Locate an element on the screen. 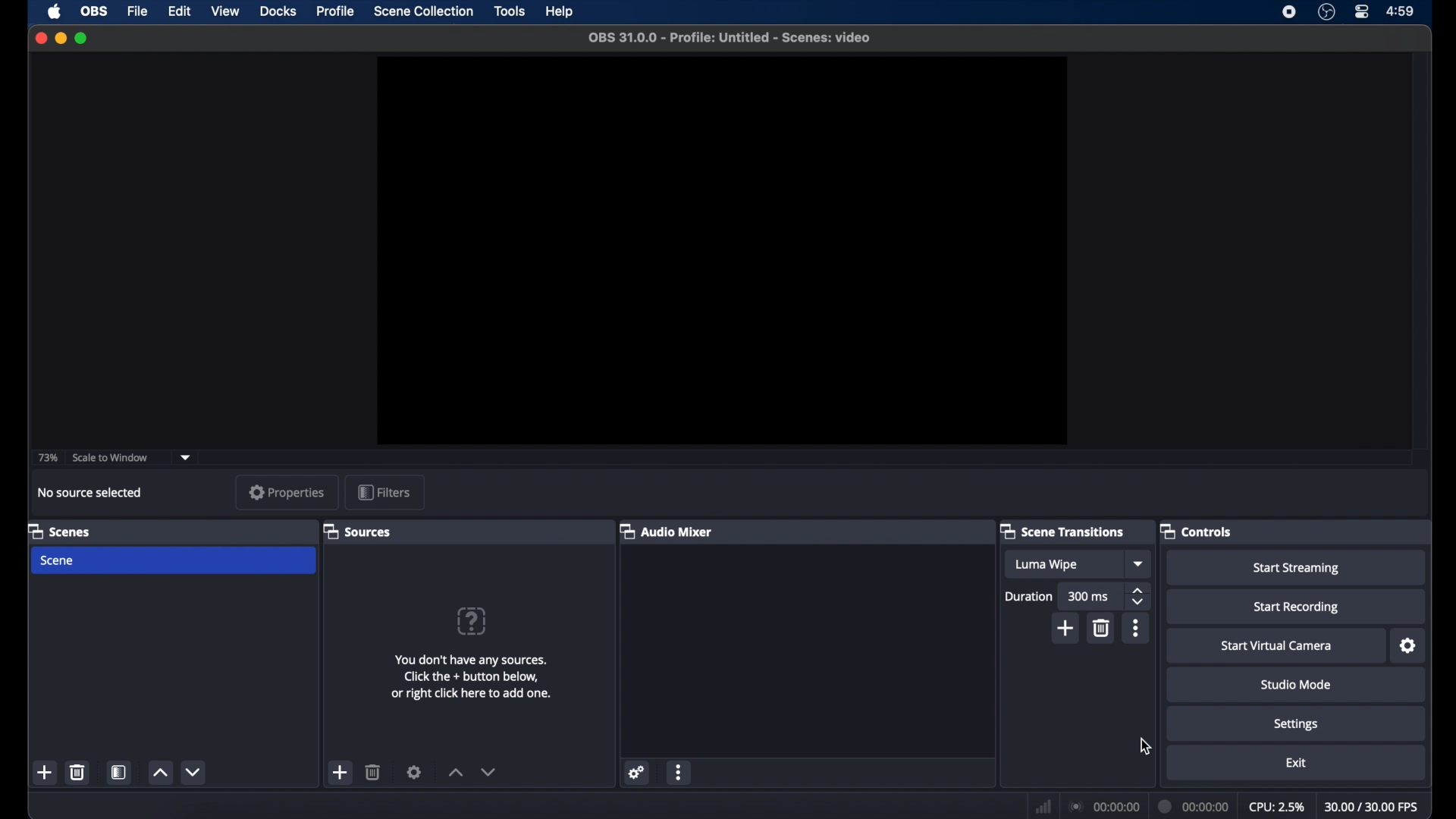 The height and width of the screenshot is (819, 1456). start streaming is located at coordinates (1297, 570).